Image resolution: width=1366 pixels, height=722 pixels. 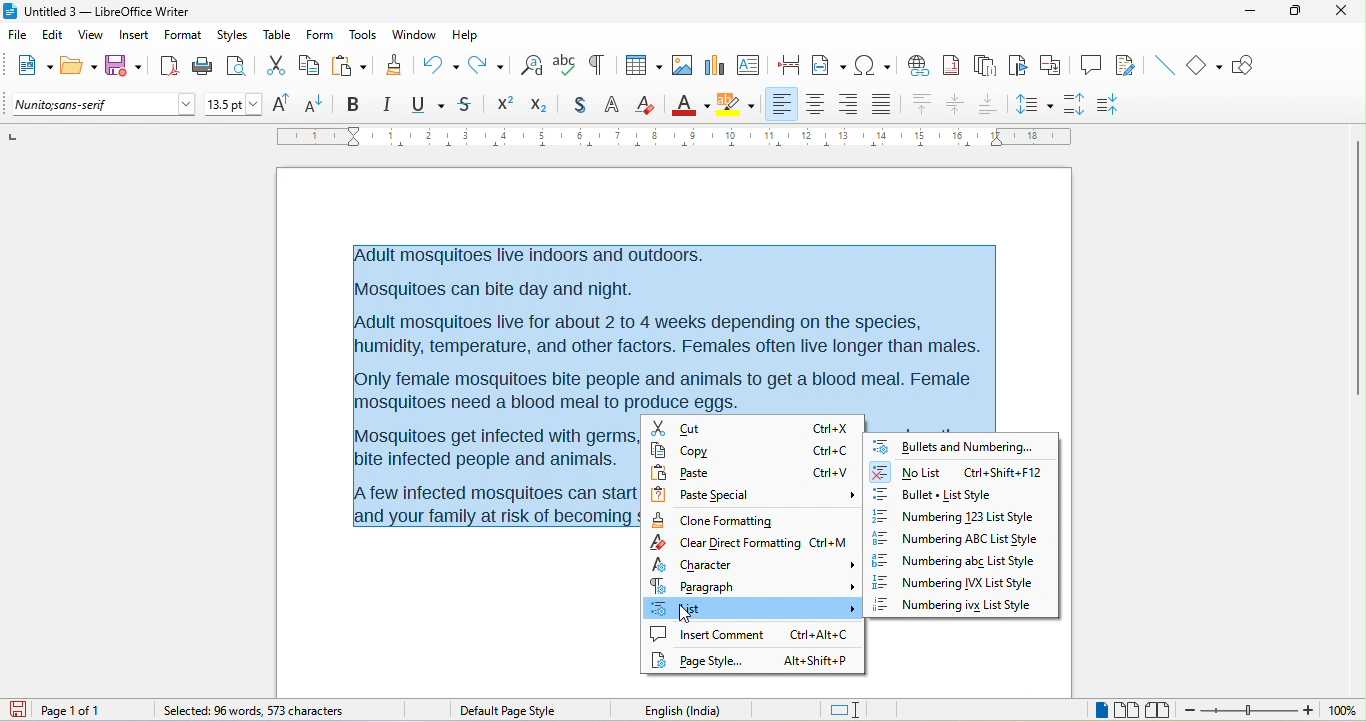 I want to click on save, so click(x=123, y=63).